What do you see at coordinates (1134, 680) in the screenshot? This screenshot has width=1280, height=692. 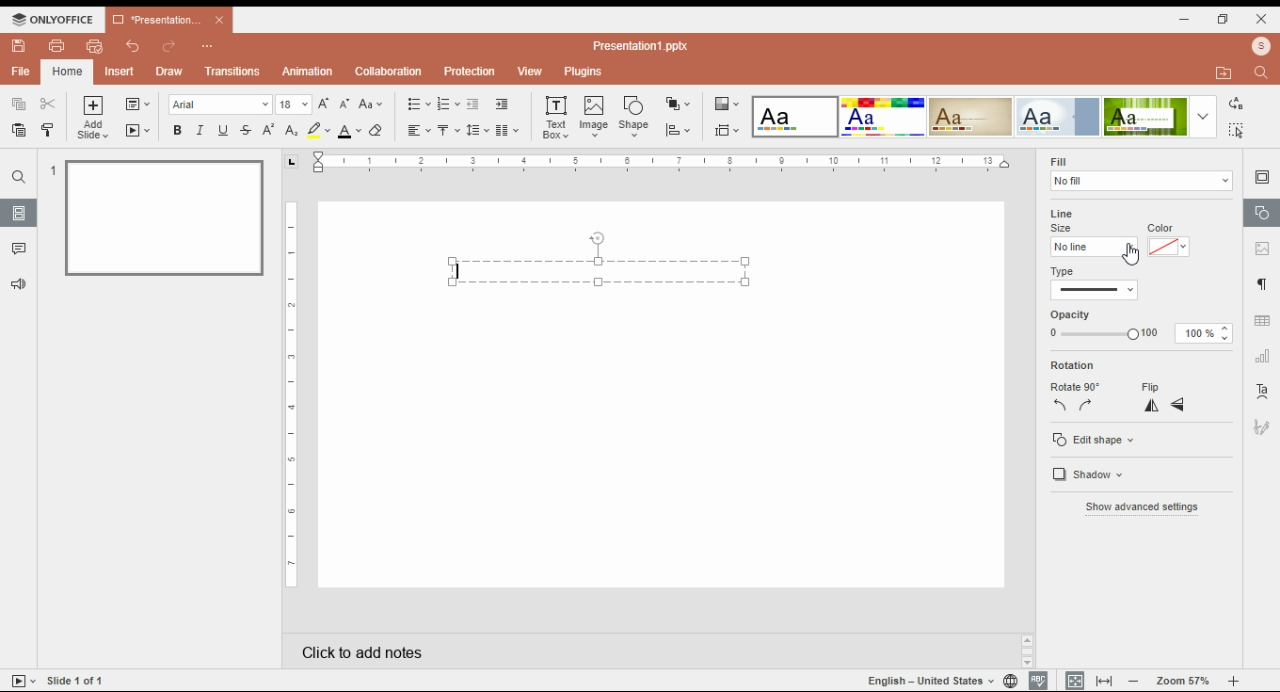 I see `decrease zoom` at bounding box center [1134, 680].